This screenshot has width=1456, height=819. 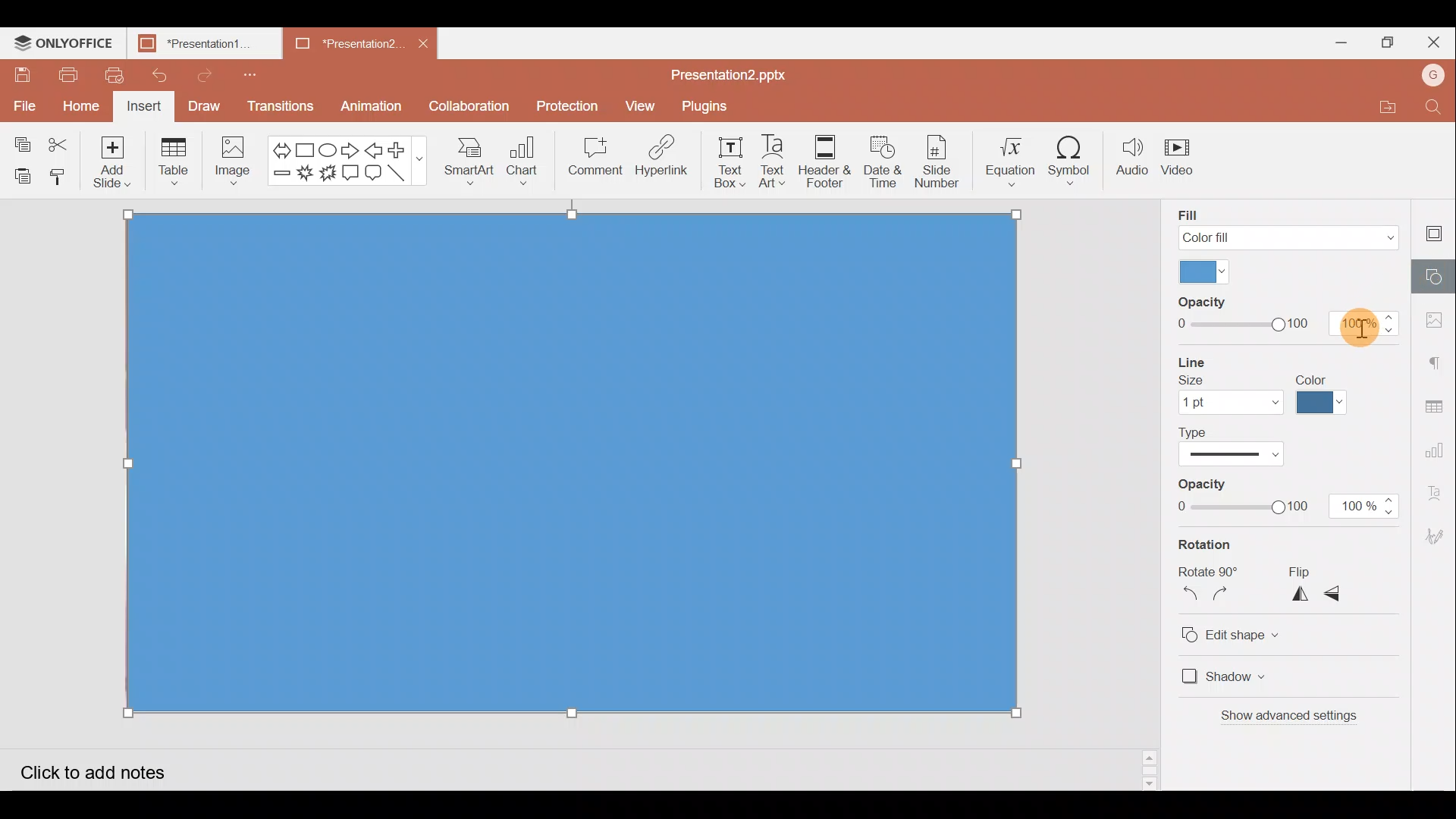 What do you see at coordinates (374, 149) in the screenshot?
I see `Left arrow` at bounding box center [374, 149].